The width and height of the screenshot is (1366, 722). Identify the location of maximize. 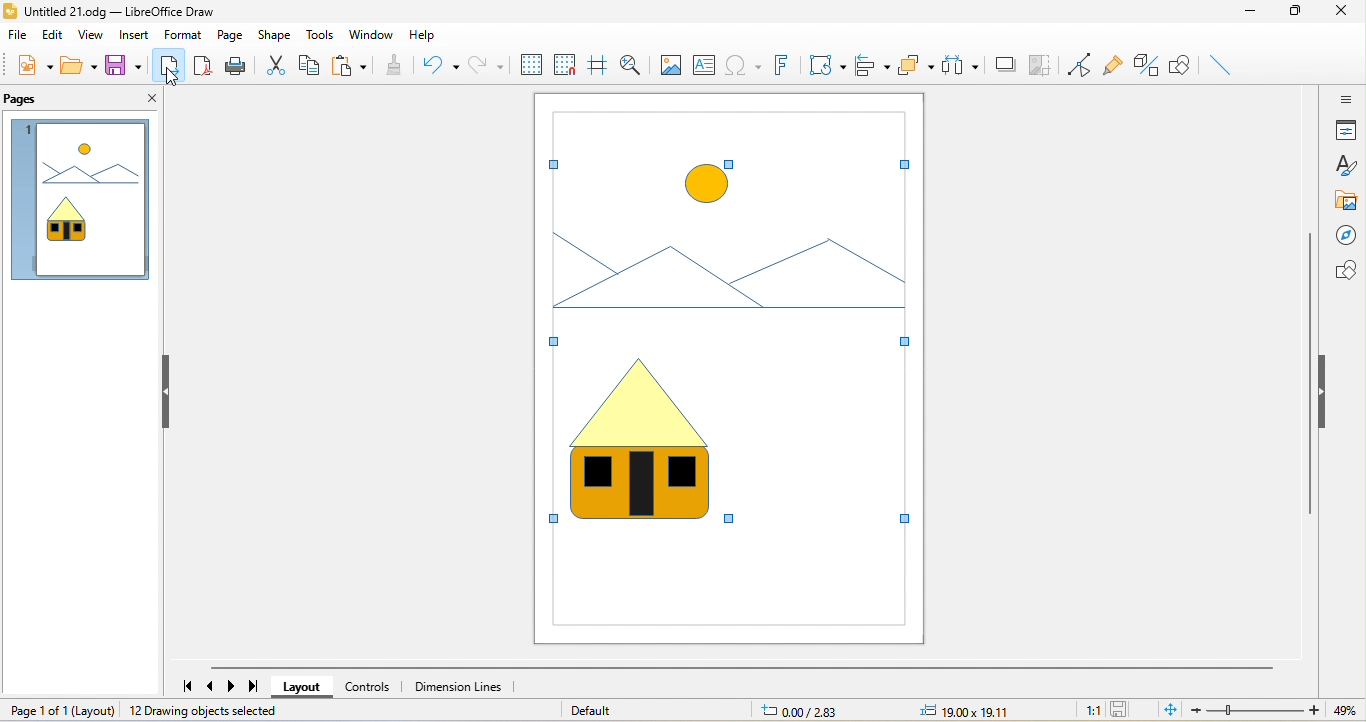
(1293, 15).